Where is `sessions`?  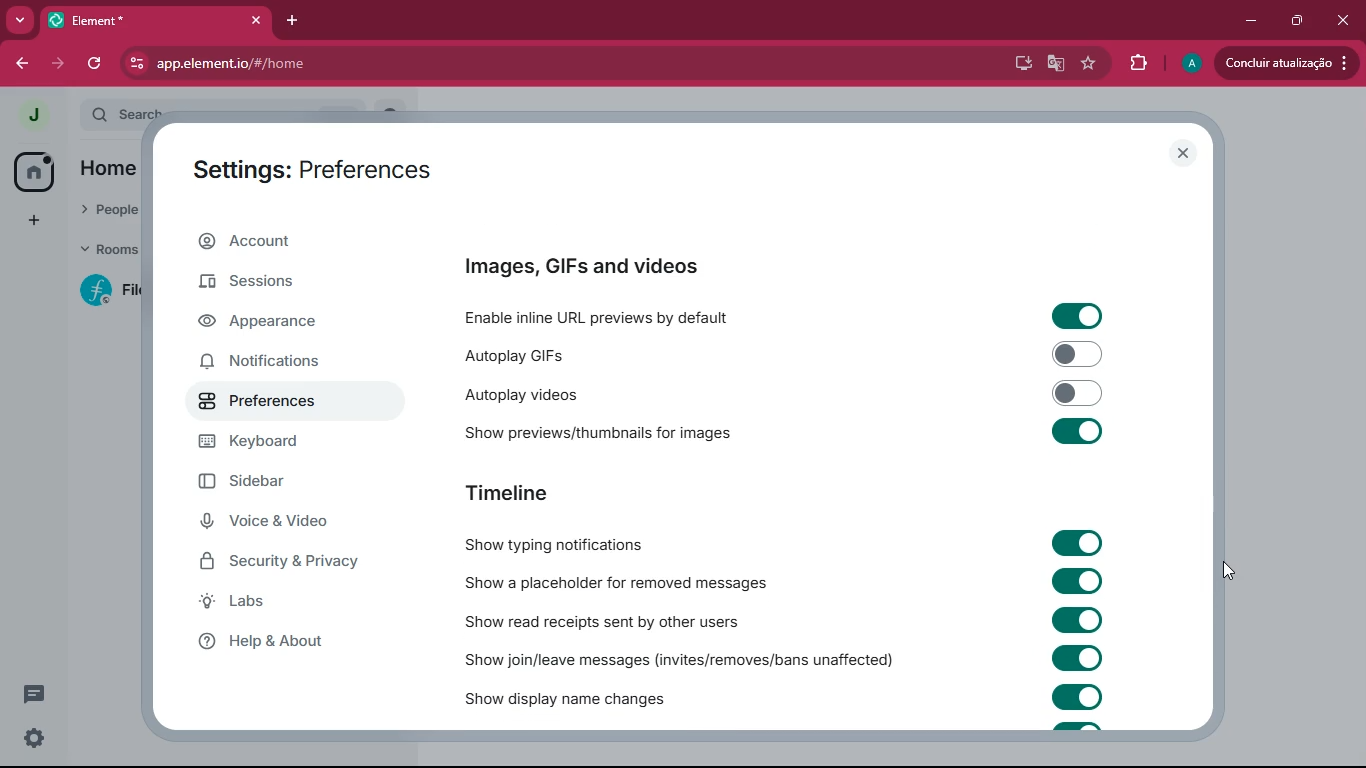
sessions is located at coordinates (287, 285).